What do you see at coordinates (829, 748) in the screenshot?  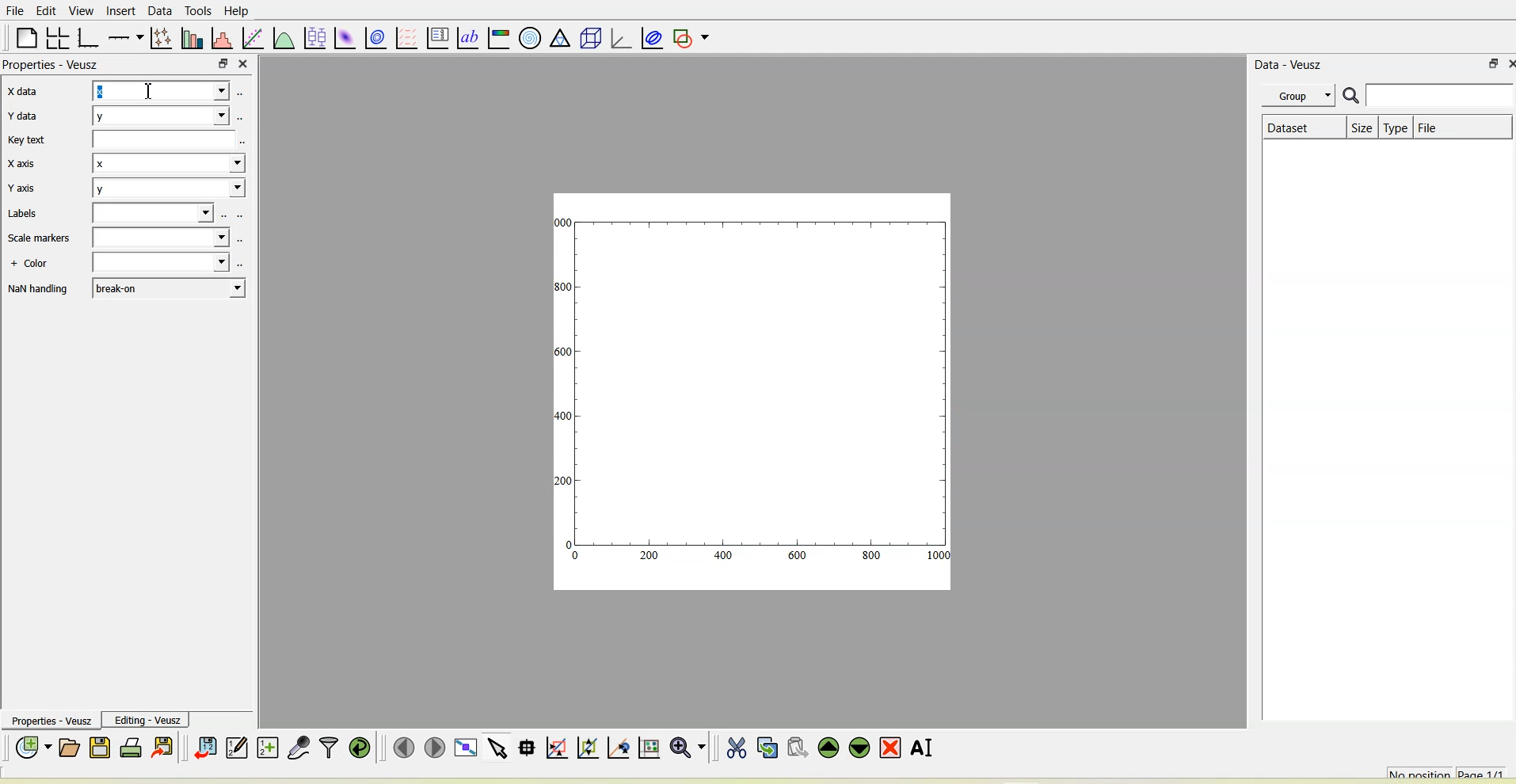 I see `Move the selected widget up` at bounding box center [829, 748].